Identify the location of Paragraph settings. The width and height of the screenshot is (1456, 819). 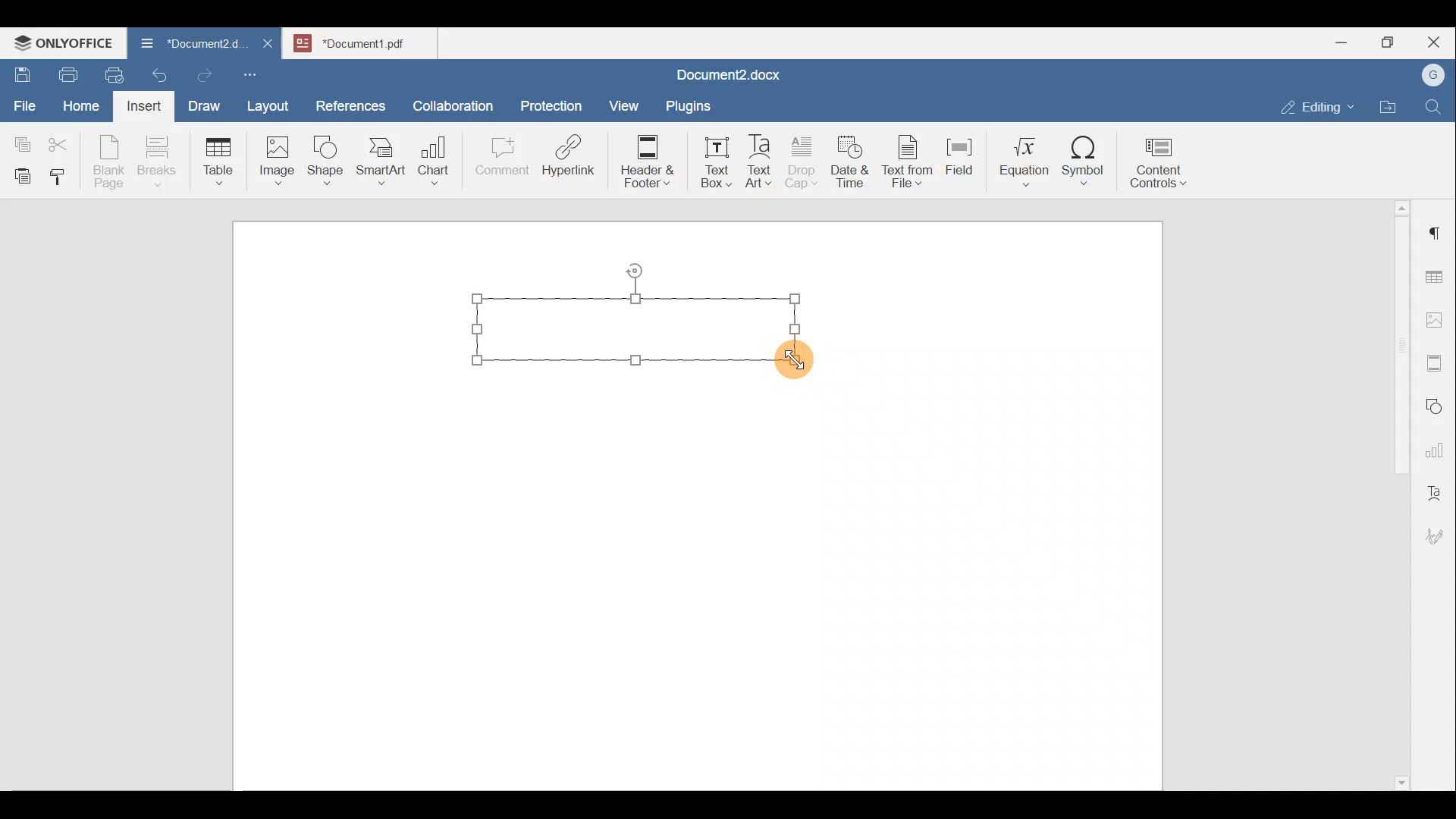
(1436, 227).